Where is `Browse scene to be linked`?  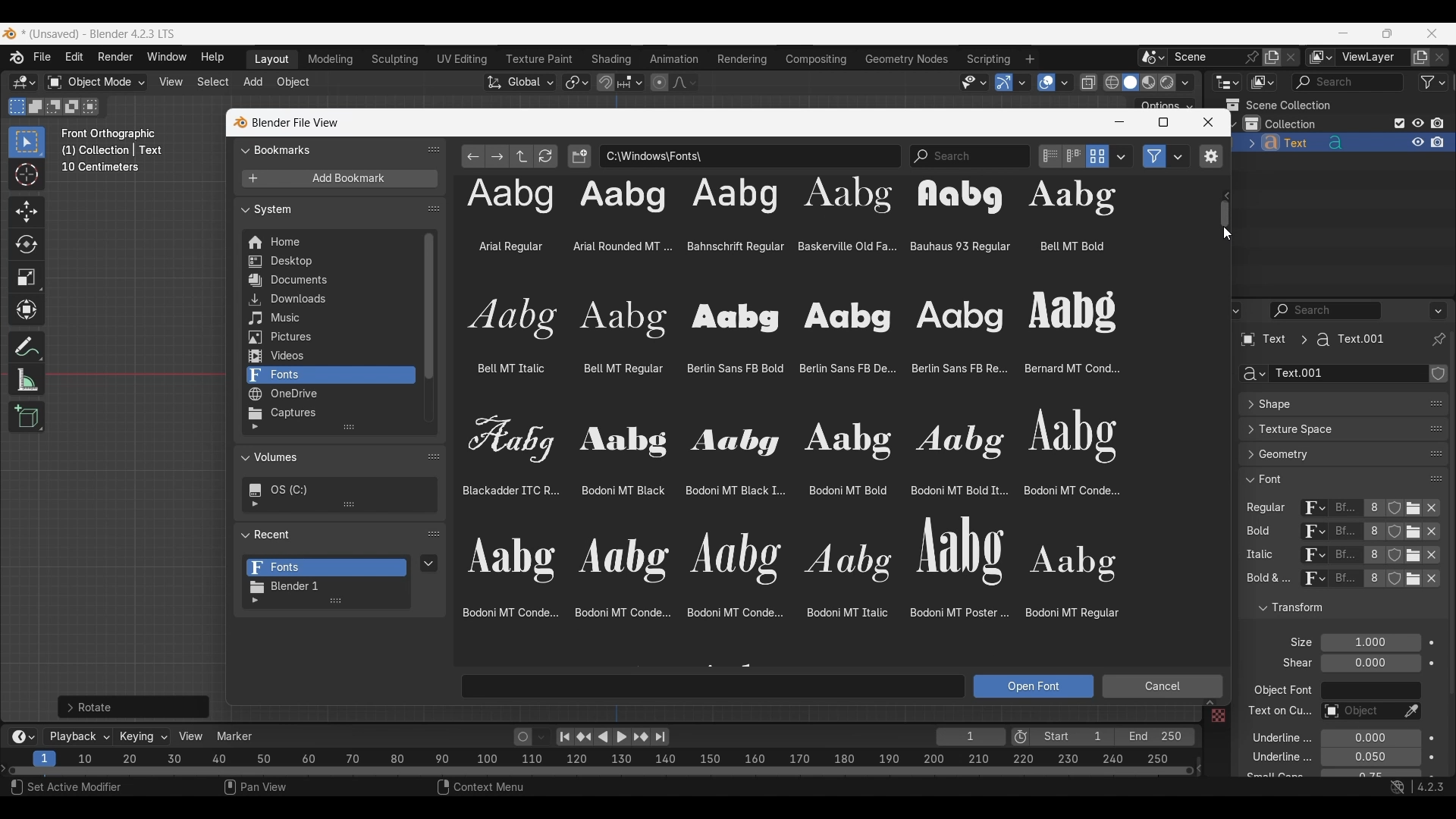 Browse scene to be linked is located at coordinates (1153, 58).